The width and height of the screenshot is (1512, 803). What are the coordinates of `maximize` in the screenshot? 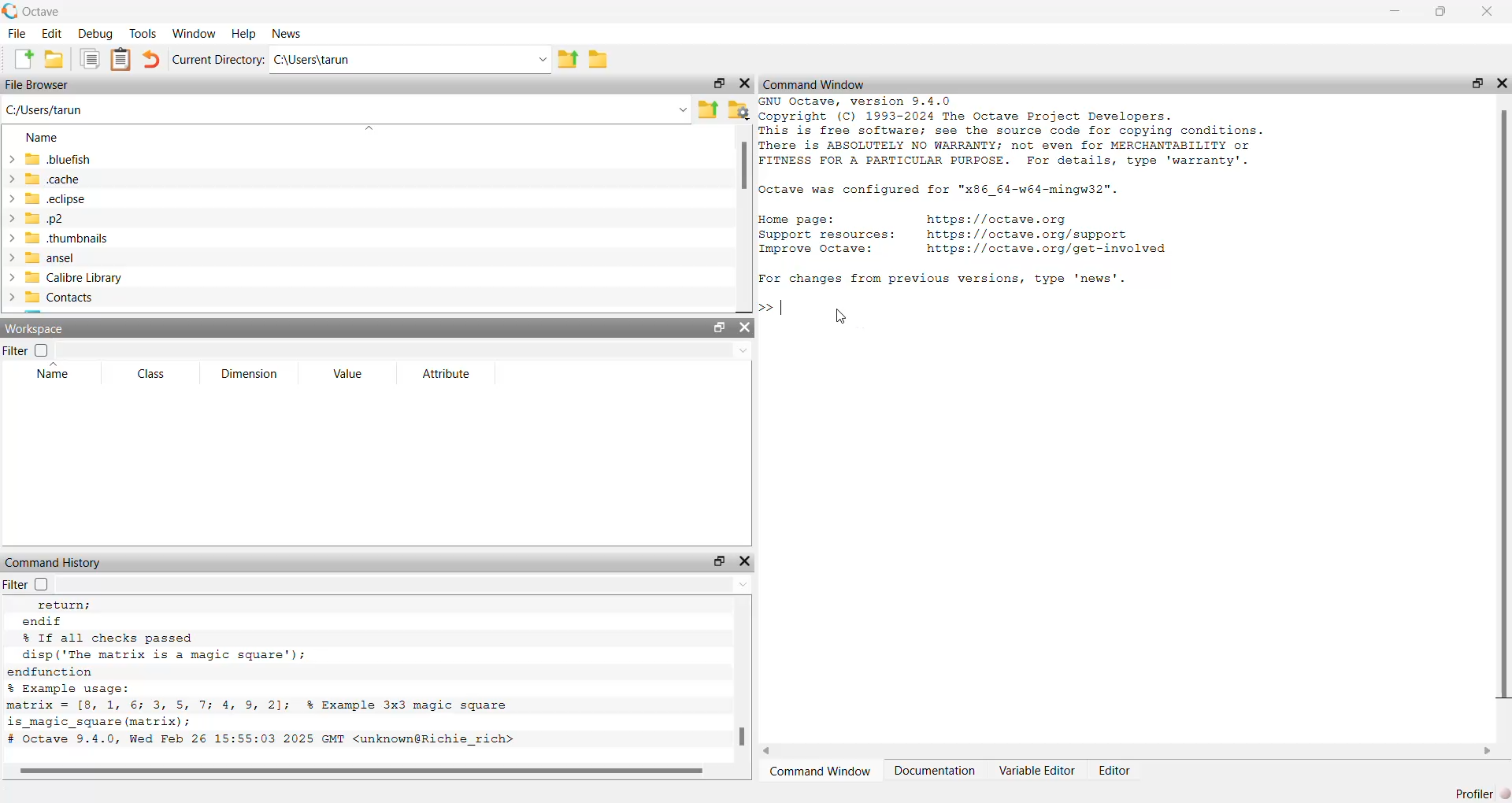 It's located at (717, 83).